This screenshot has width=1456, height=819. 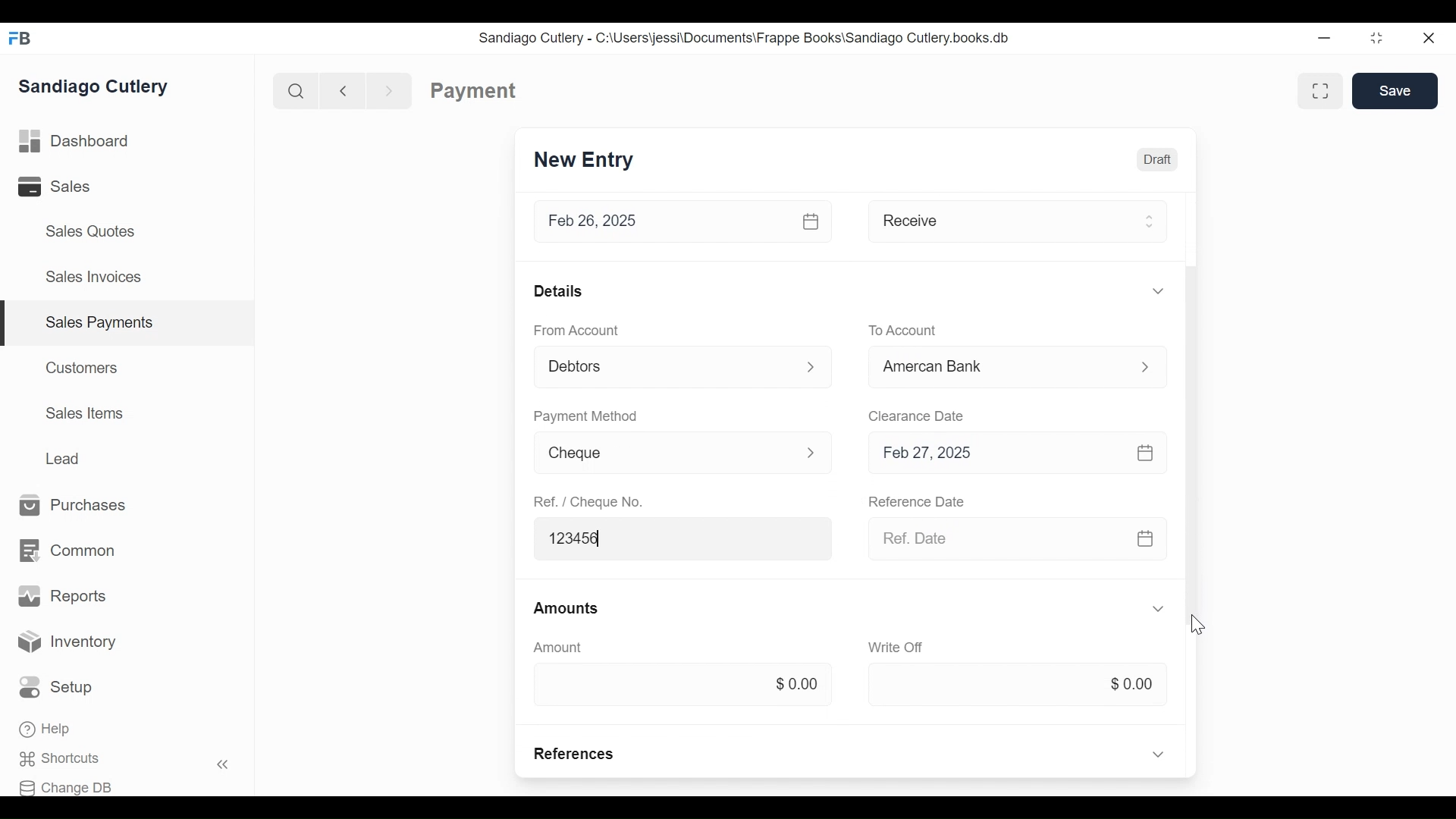 What do you see at coordinates (71, 786) in the screenshot?
I see `Change DB` at bounding box center [71, 786].